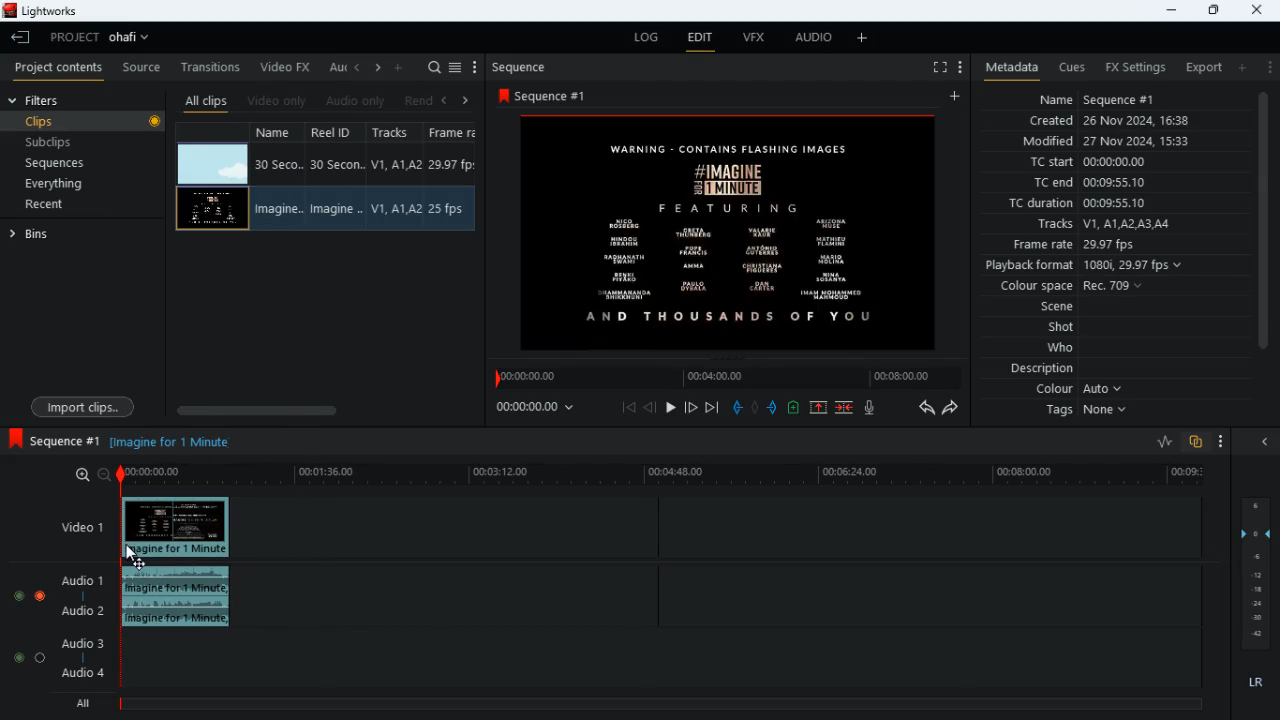  What do you see at coordinates (213, 63) in the screenshot?
I see `transitions` at bounding box center [213, 63].